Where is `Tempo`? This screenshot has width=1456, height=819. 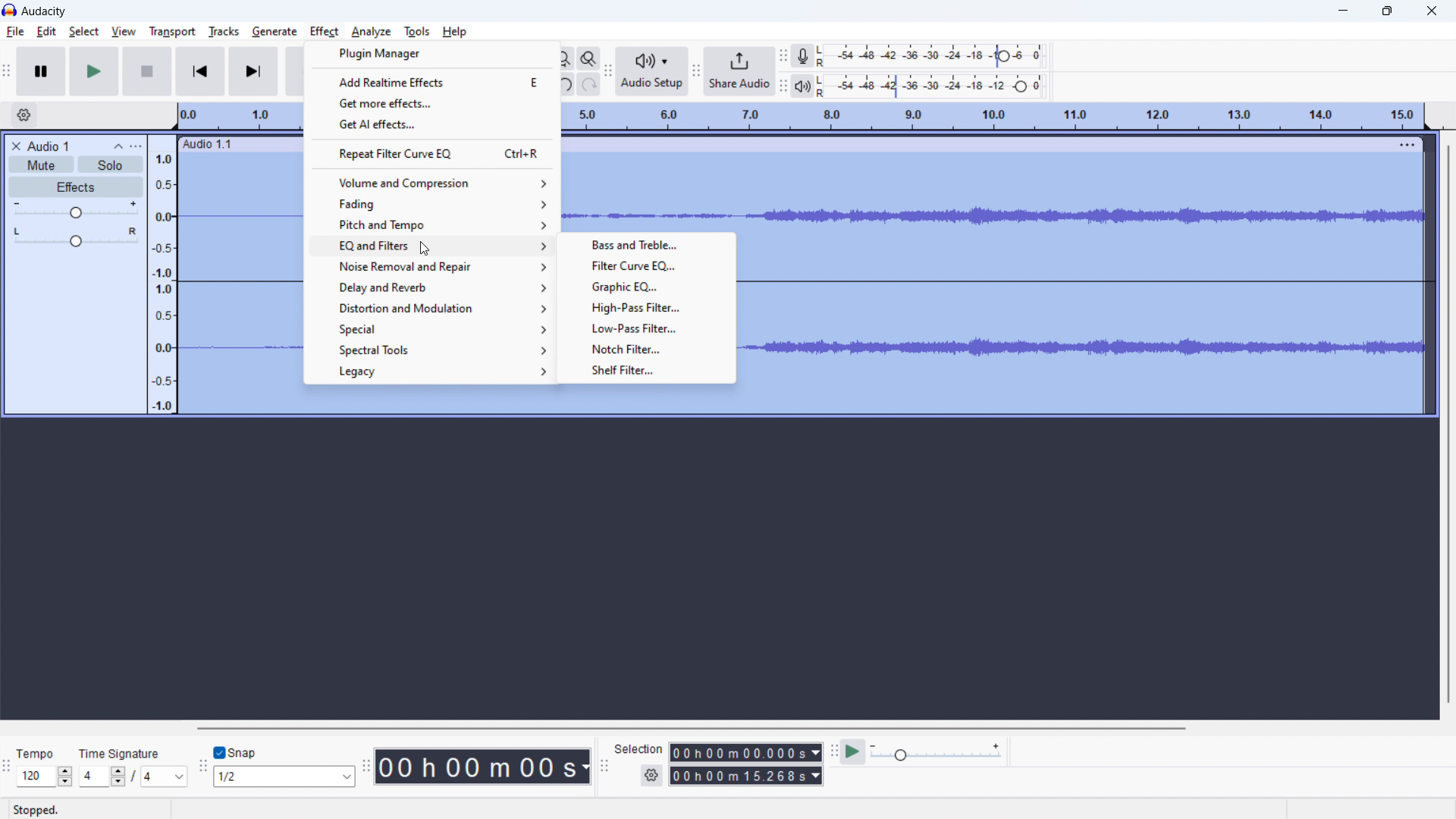
Tempo is located at coordinates (44, 754).